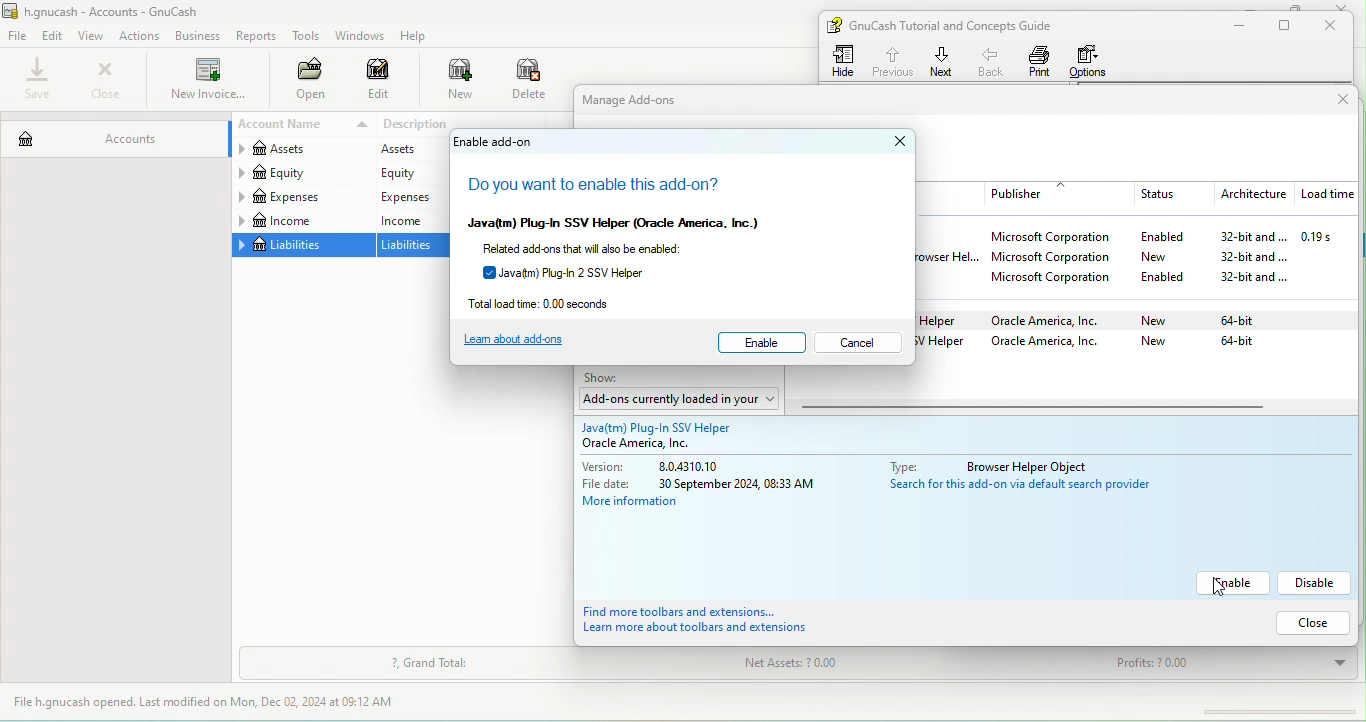 This screenshot has height=722, width=1366. I want to click on edit, so click(54, 35).